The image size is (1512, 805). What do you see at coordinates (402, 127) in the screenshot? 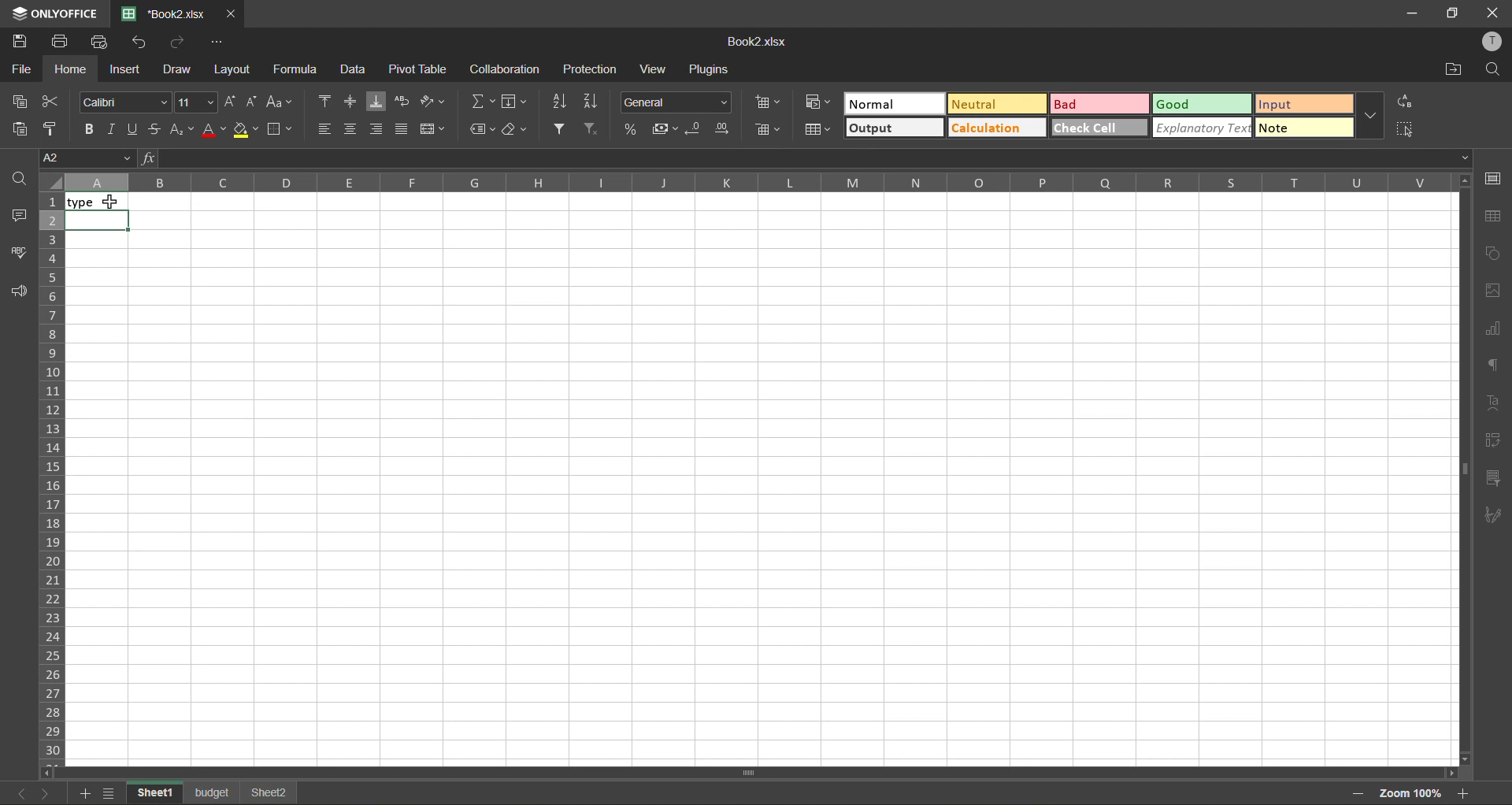
I see `justified` at bounding box center [402, 127].